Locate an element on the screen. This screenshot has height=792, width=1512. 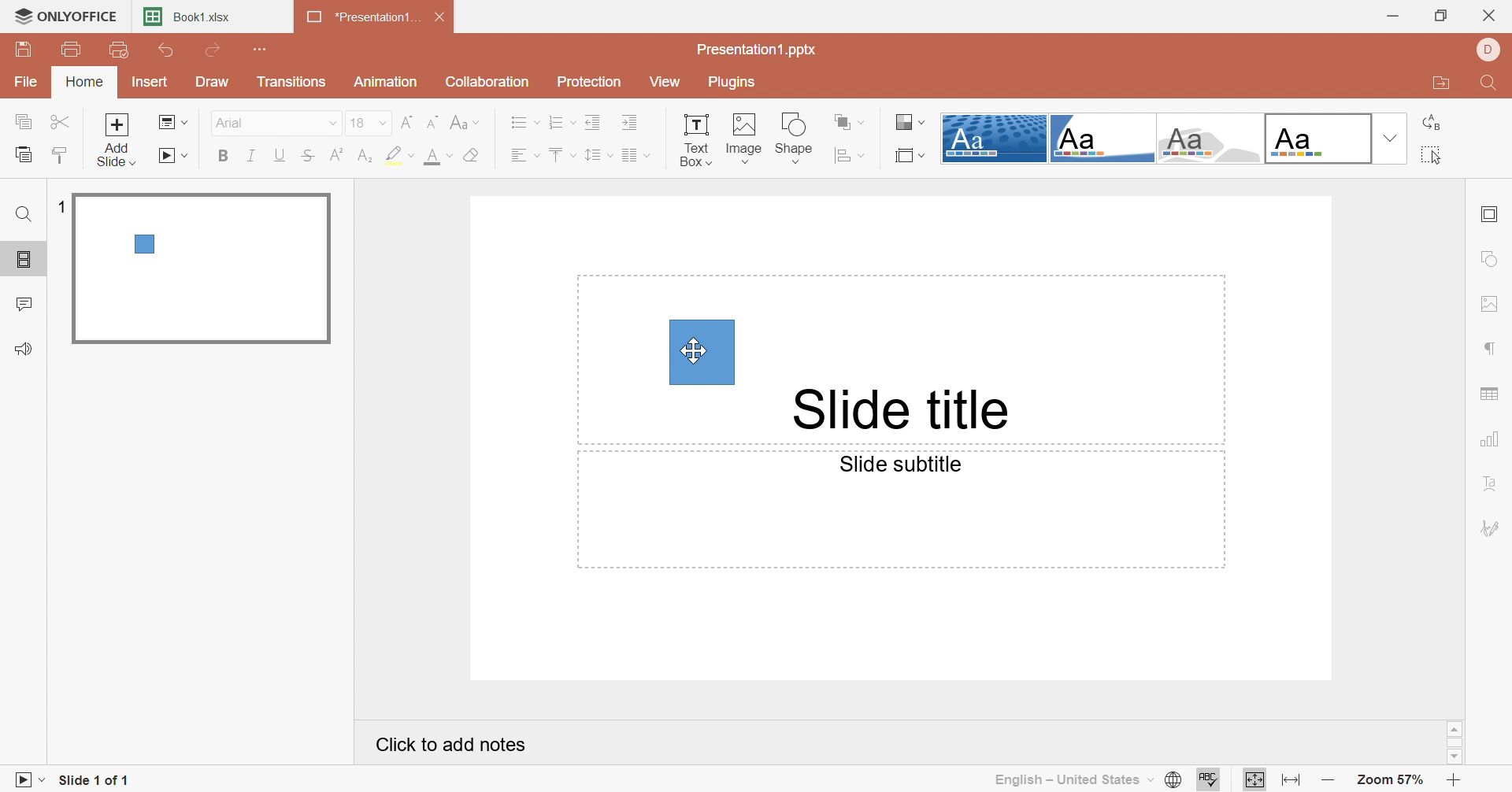
Bold is located at coordinates (228, 156).